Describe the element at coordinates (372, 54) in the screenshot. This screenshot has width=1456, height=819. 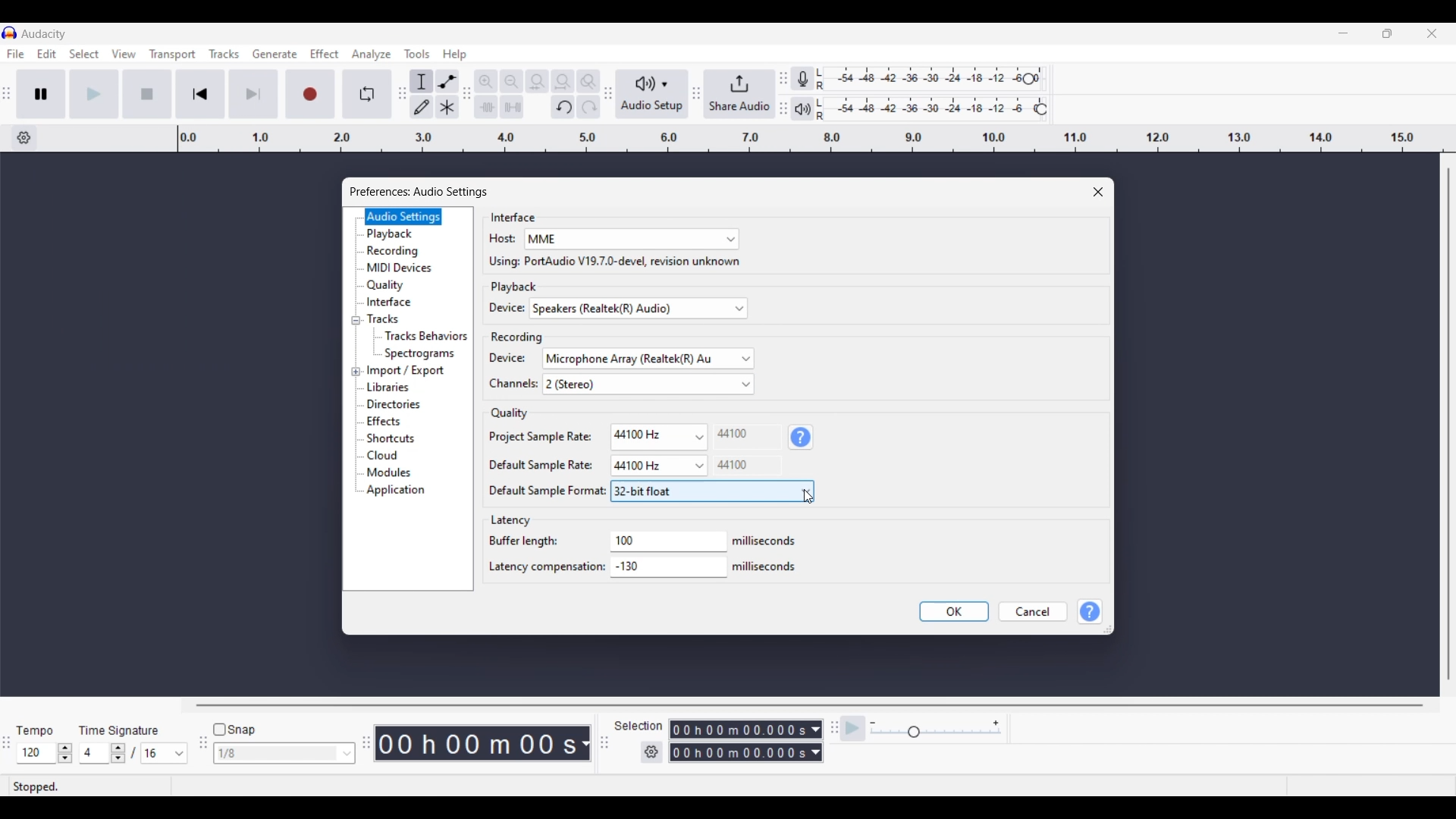
I see `Analyze menu` at that location.